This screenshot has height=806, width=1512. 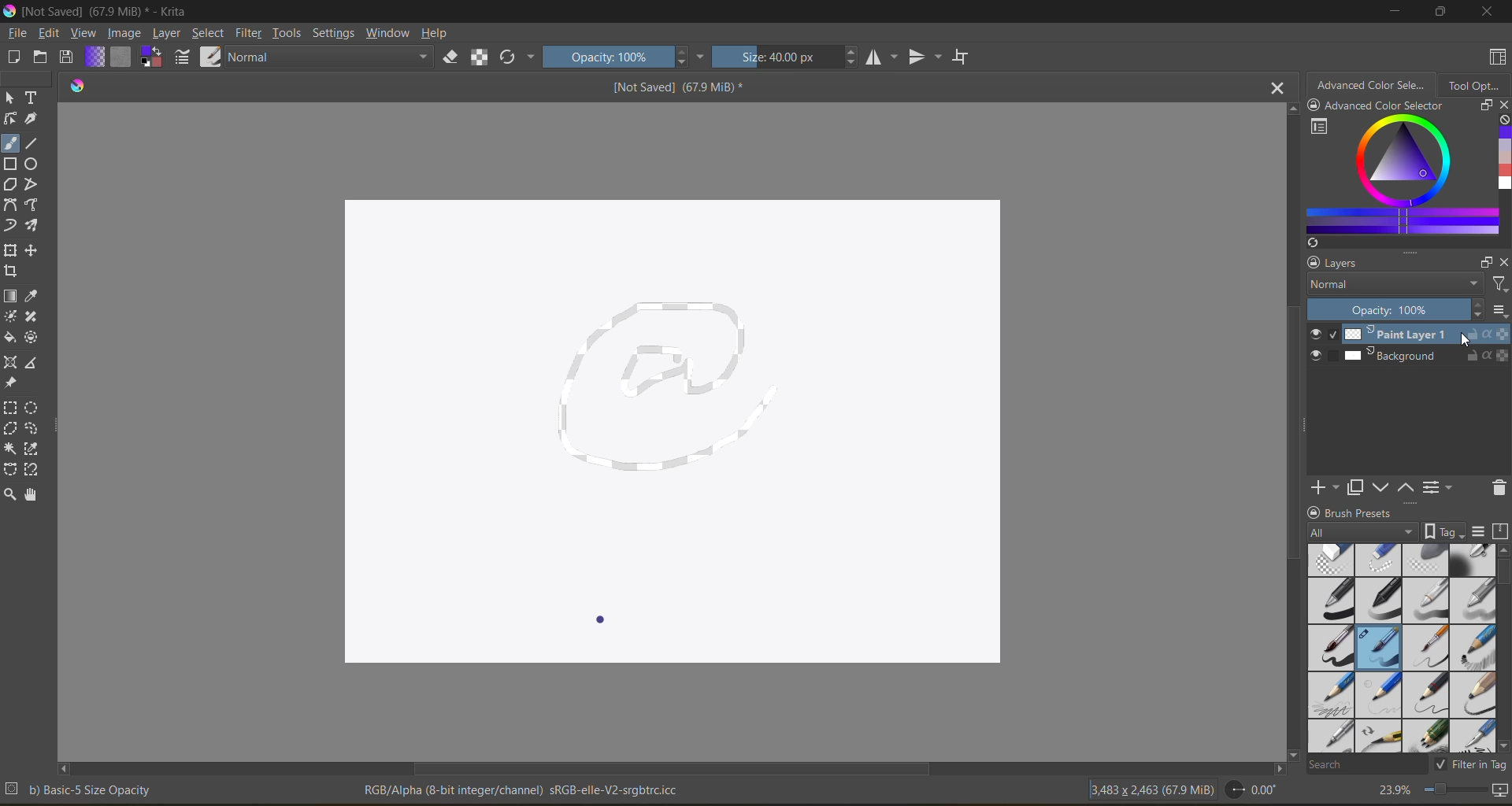 What do you see at coordinates (1442, 12) in the screenshot?
I see `maximize` at bounding box center [1442, 12].